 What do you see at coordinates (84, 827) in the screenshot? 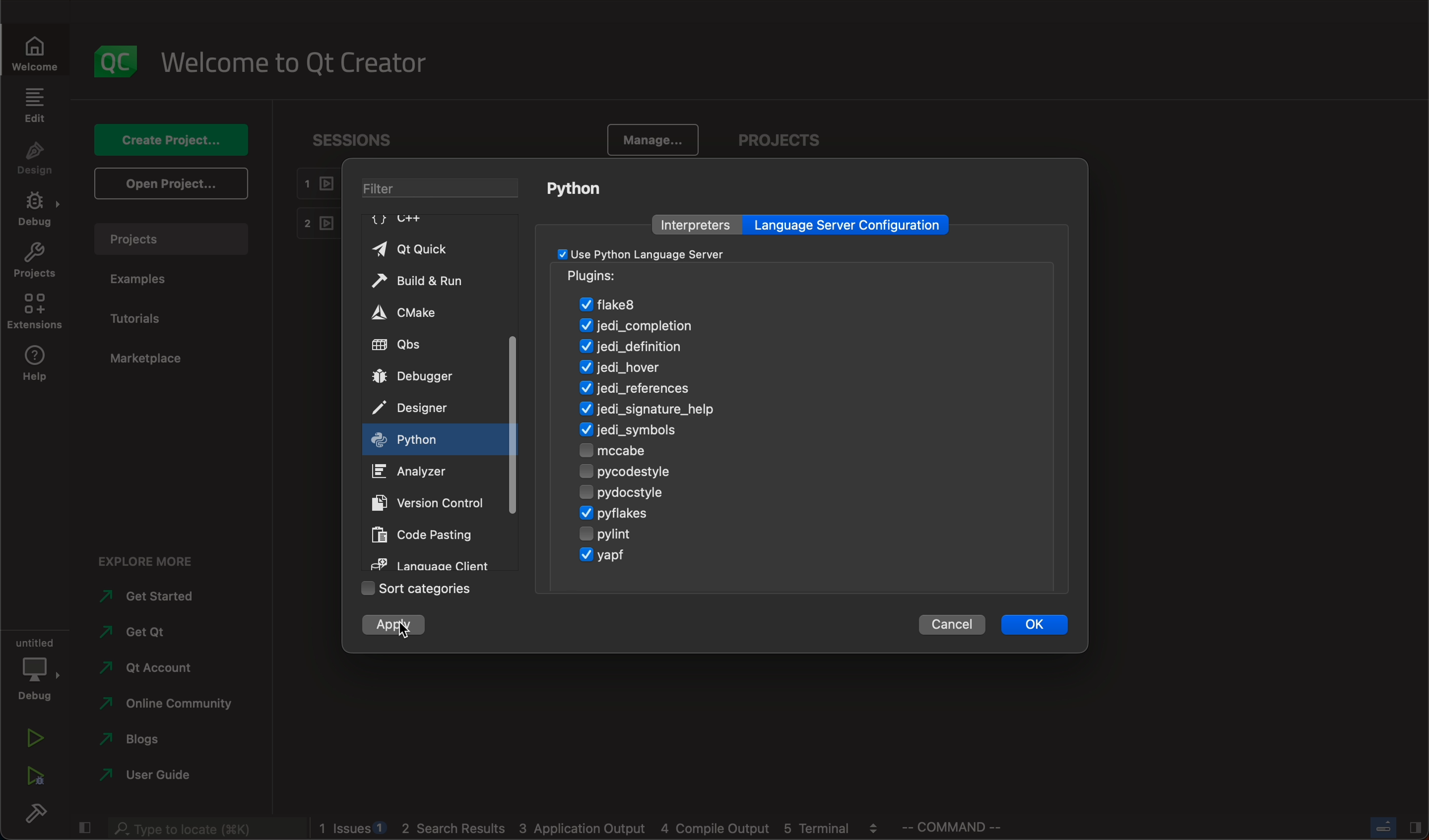
I see `close slide bar` at bounding box center [84, 827].